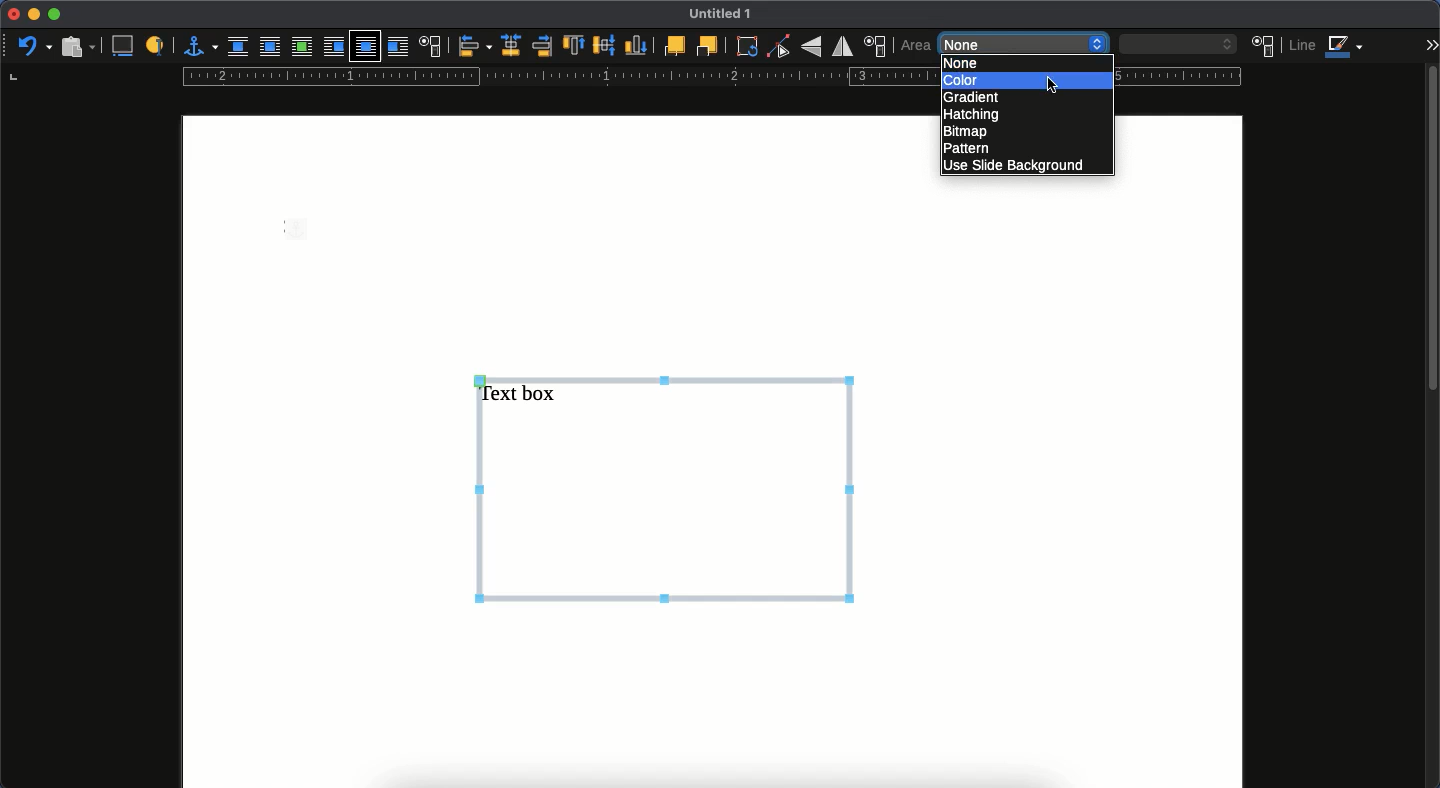 The height and width of the screenshot is (788, 1440). Describe the element at coordinates (877, 46) in the screenshot. I see `position and size` at that location.